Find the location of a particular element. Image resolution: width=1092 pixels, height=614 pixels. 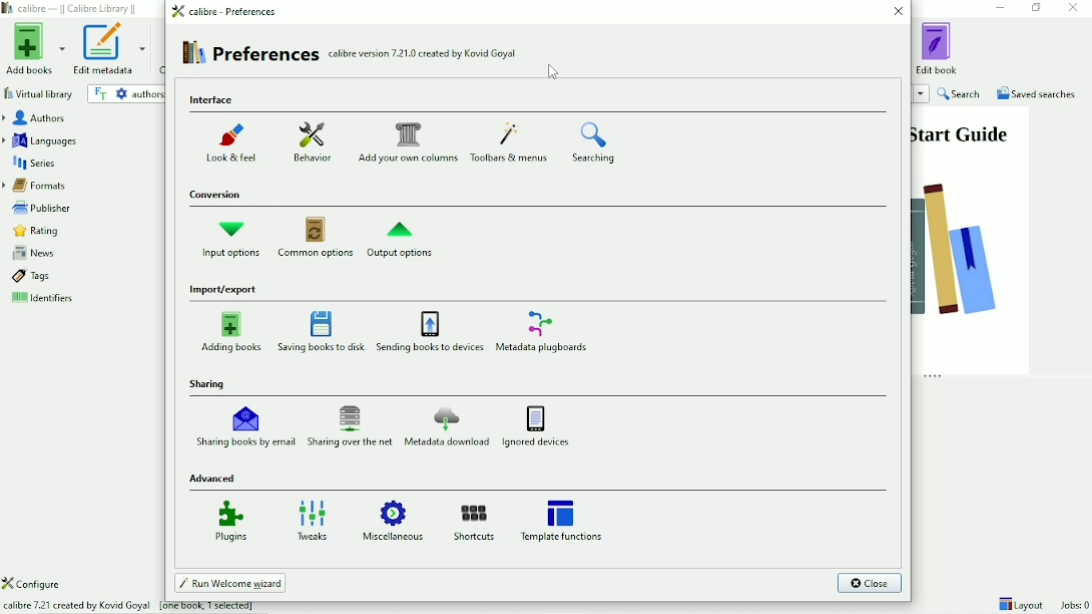

News is located at coordinates (80, 253).